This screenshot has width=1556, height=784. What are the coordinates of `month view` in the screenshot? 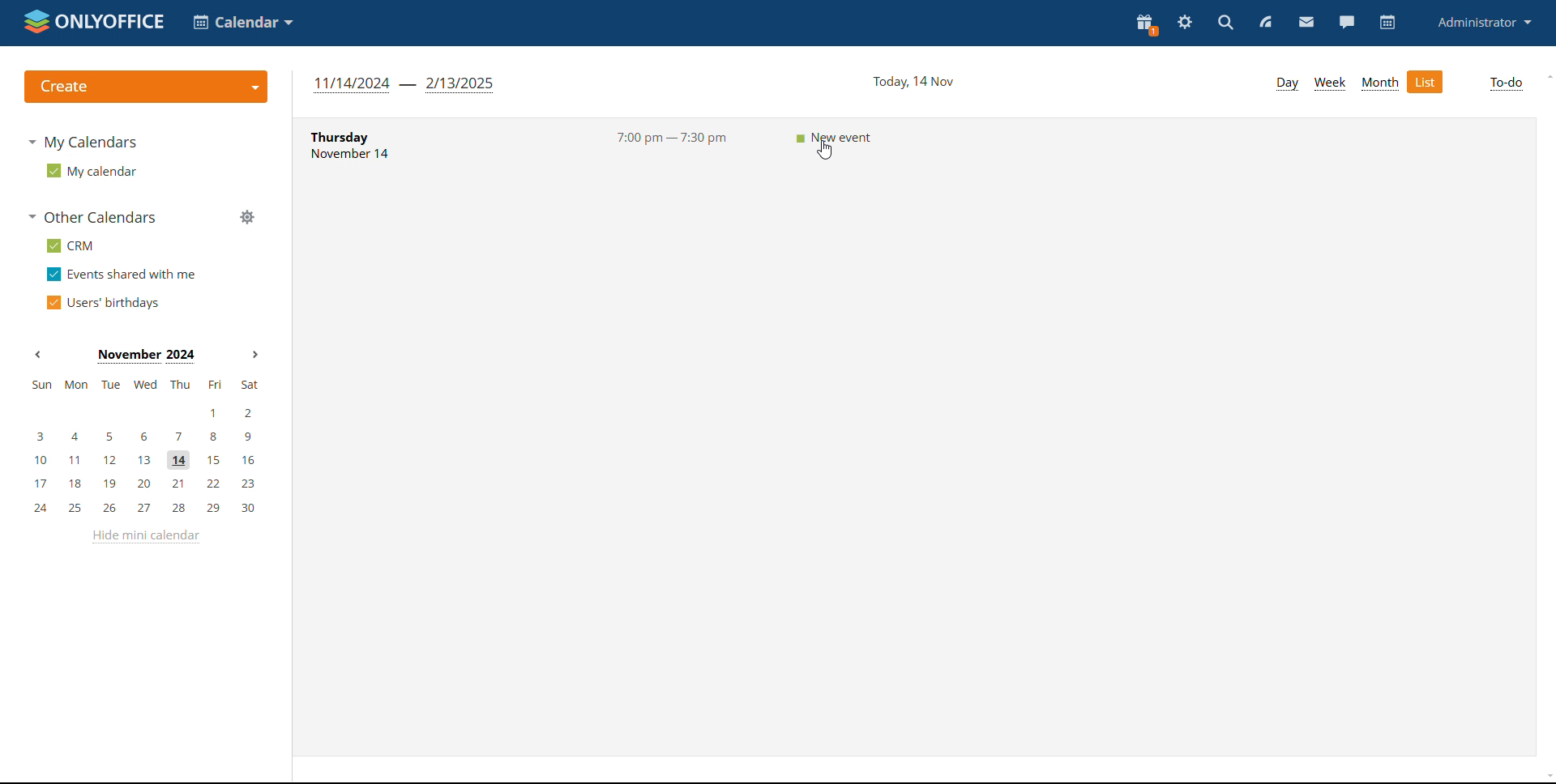 It's located at (1380, 83).